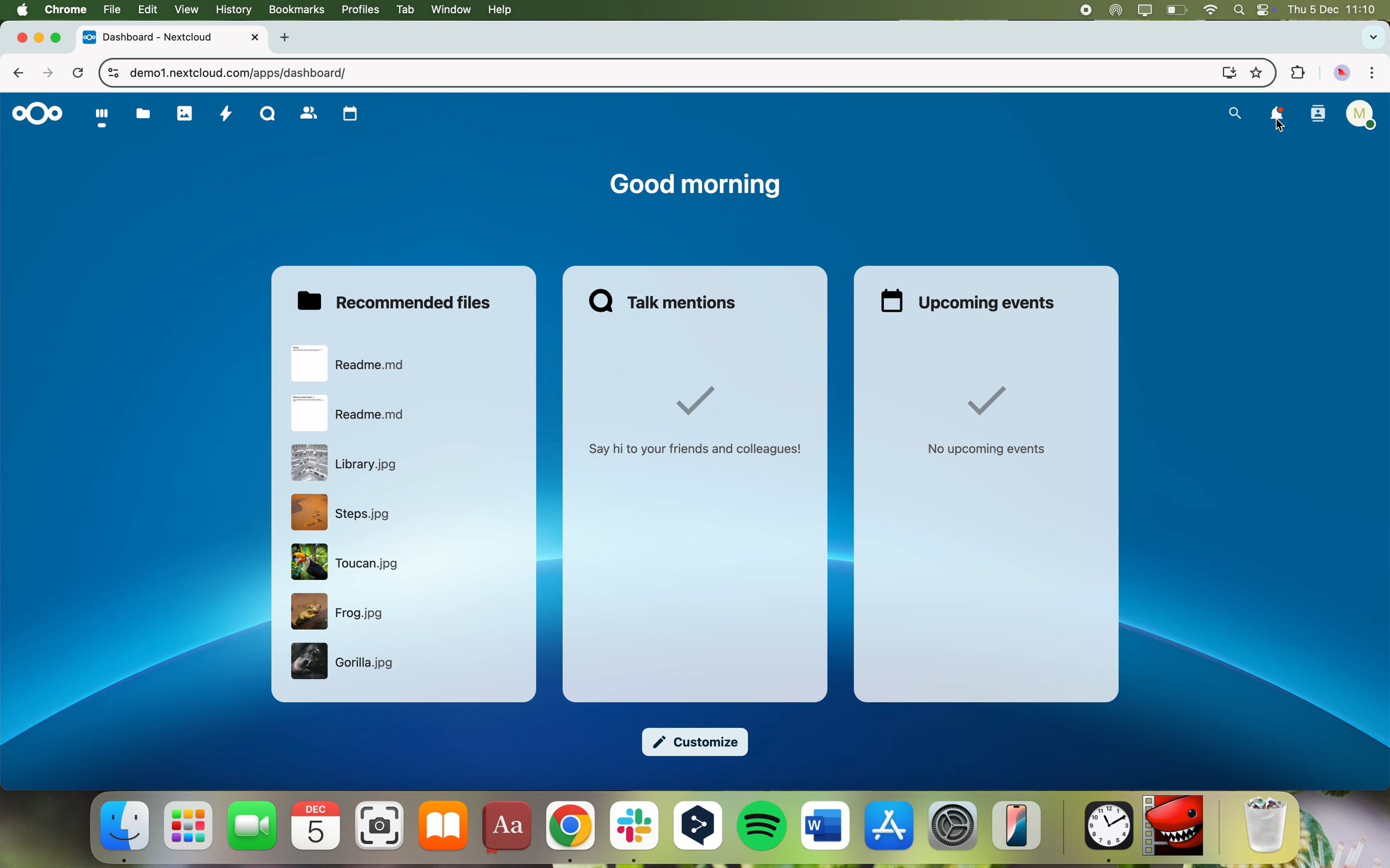  What do you see at coordinates (1280, 115) in the screenshot?
I see `click on notifications` at bounding box center [1280, 115].